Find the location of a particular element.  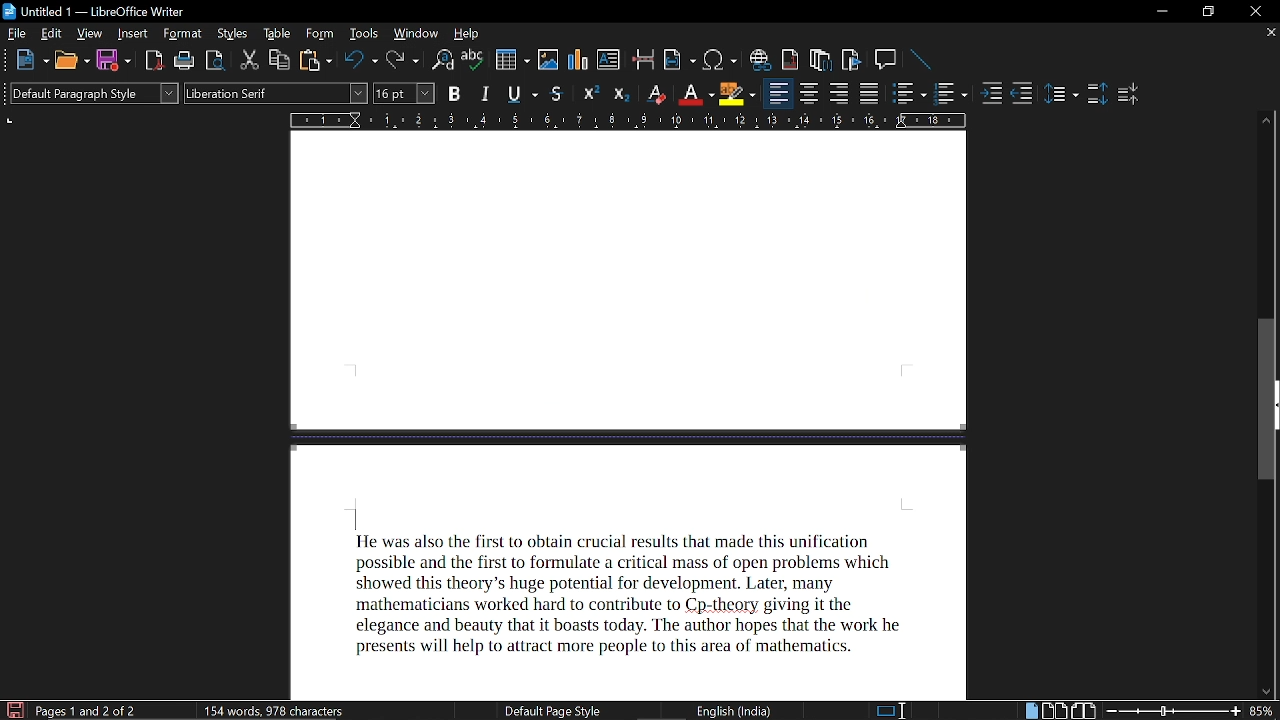

Spell check is located at coordinates (472, 60).